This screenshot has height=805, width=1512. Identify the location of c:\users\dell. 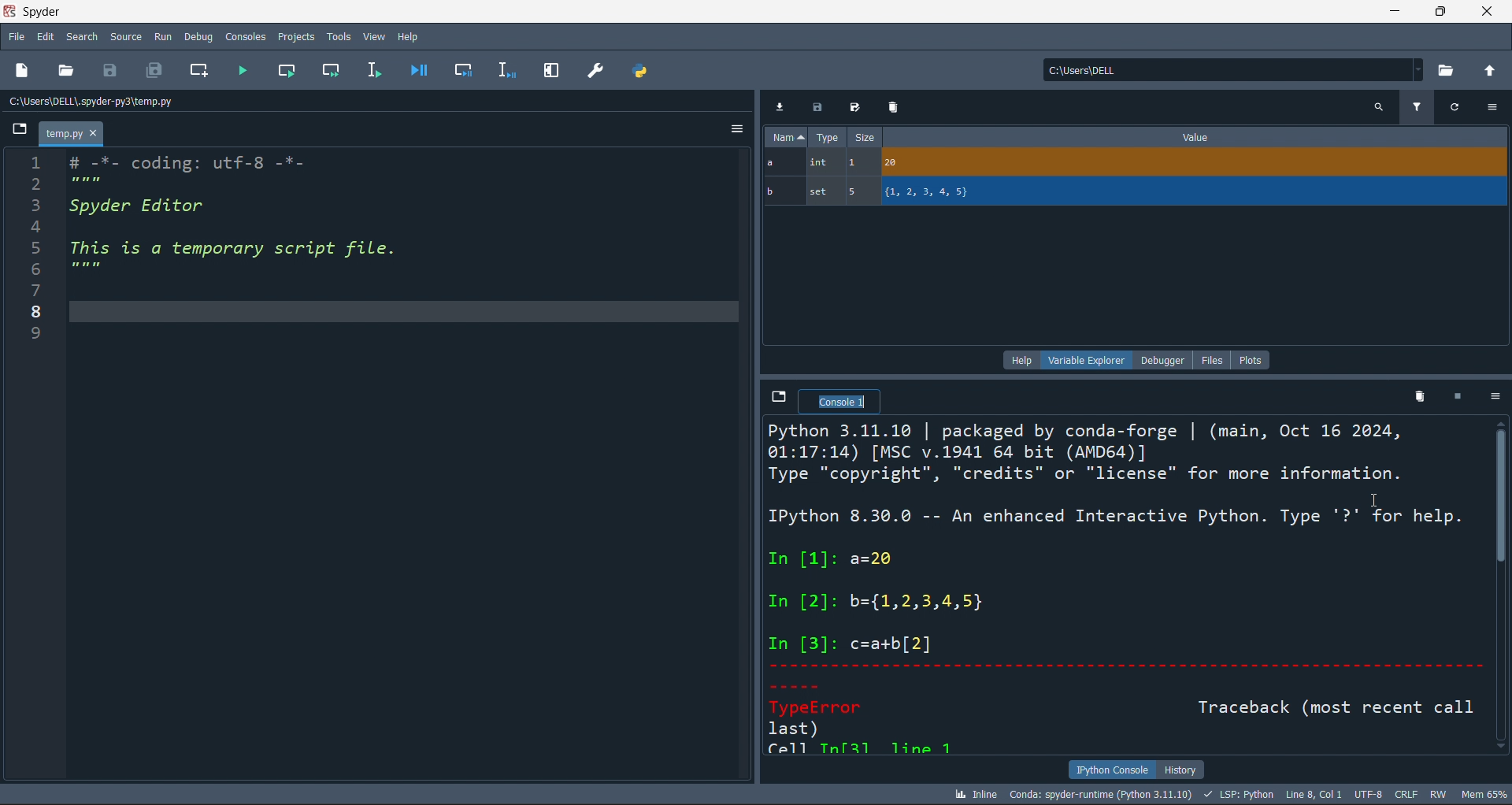
(1230, 68).